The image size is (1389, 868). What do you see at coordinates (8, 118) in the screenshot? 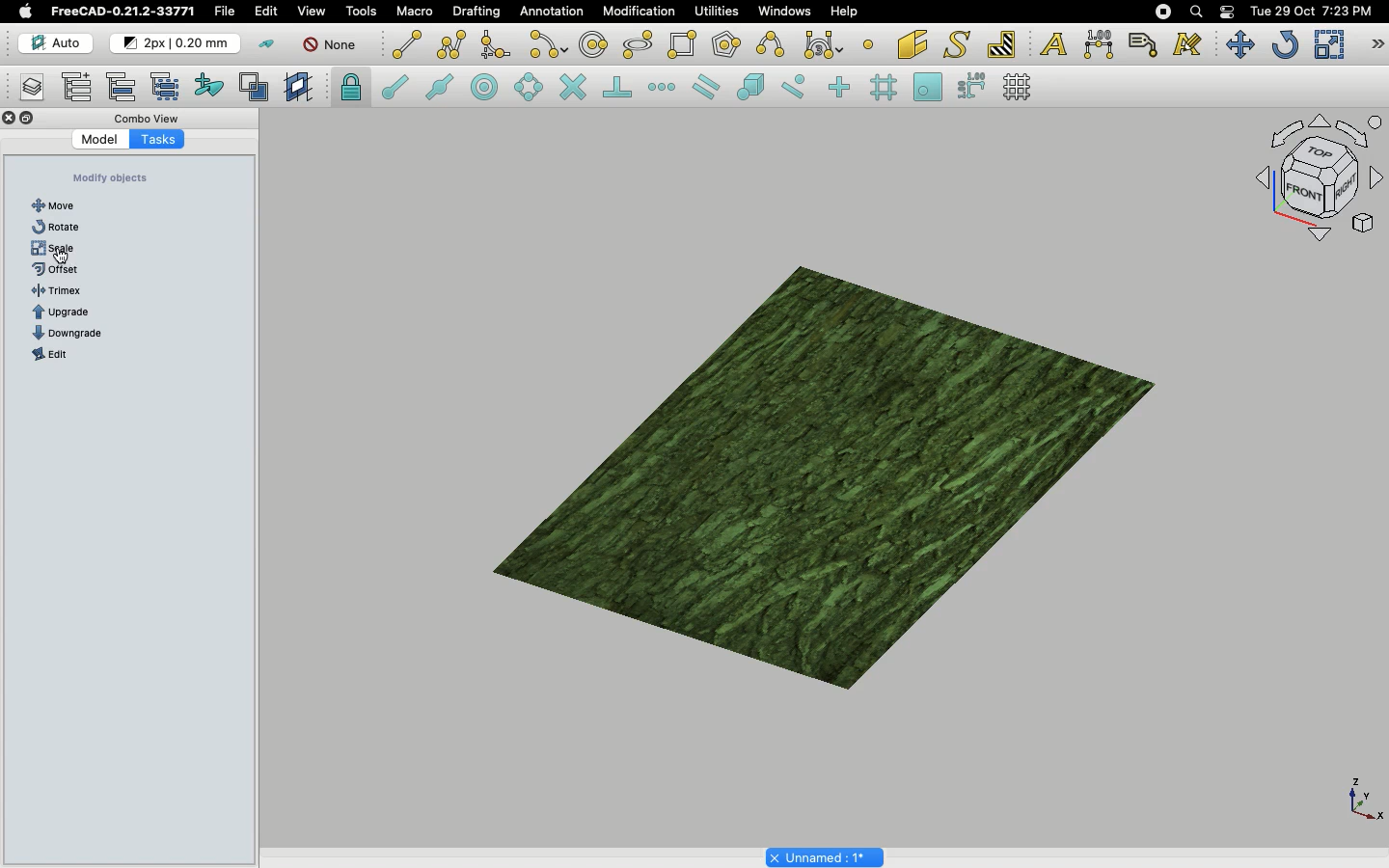
I see `Close` at bounding box center [8, 118].